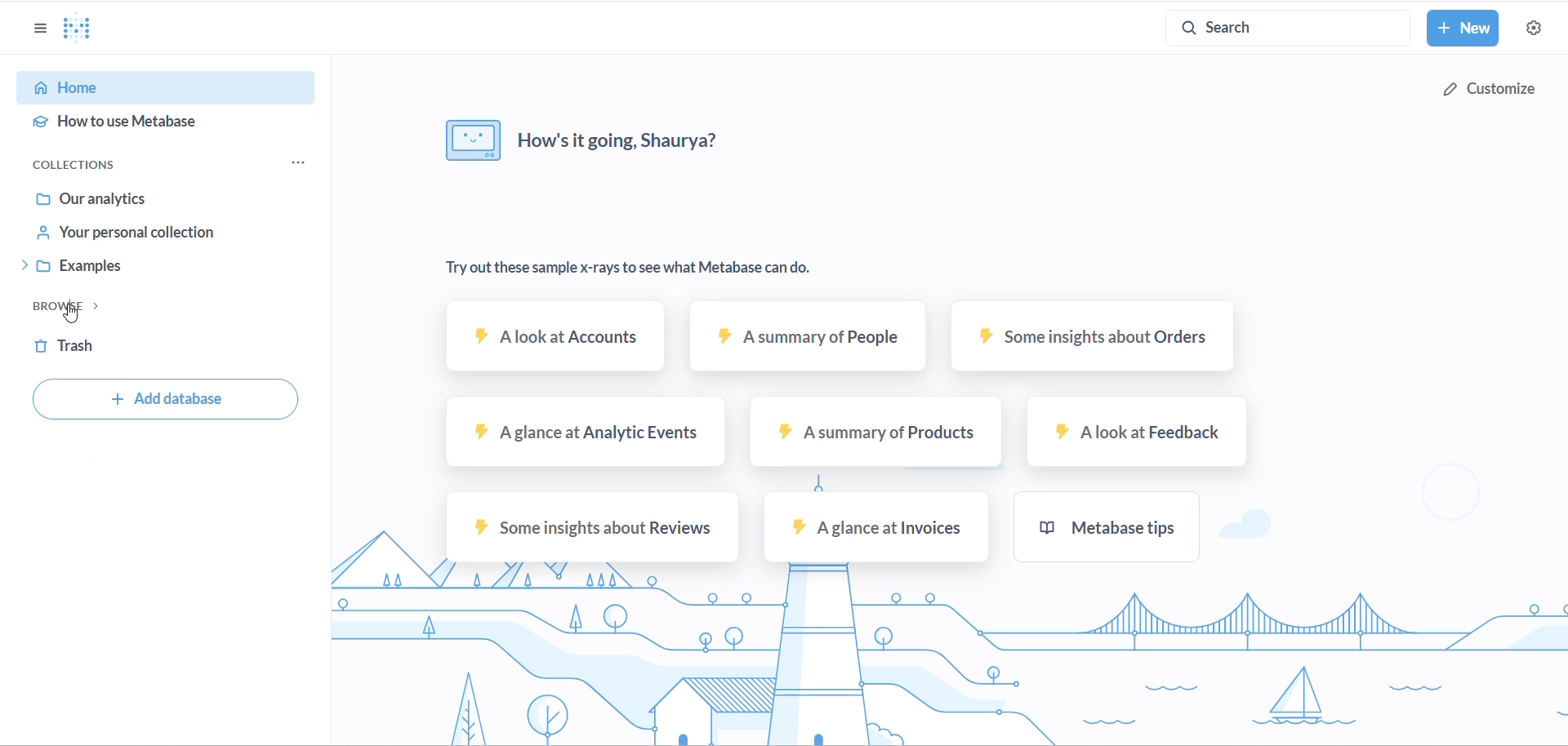 This screenshot has width=1568, height=746. I want to click on Metabase Logo, so click(84, 29).